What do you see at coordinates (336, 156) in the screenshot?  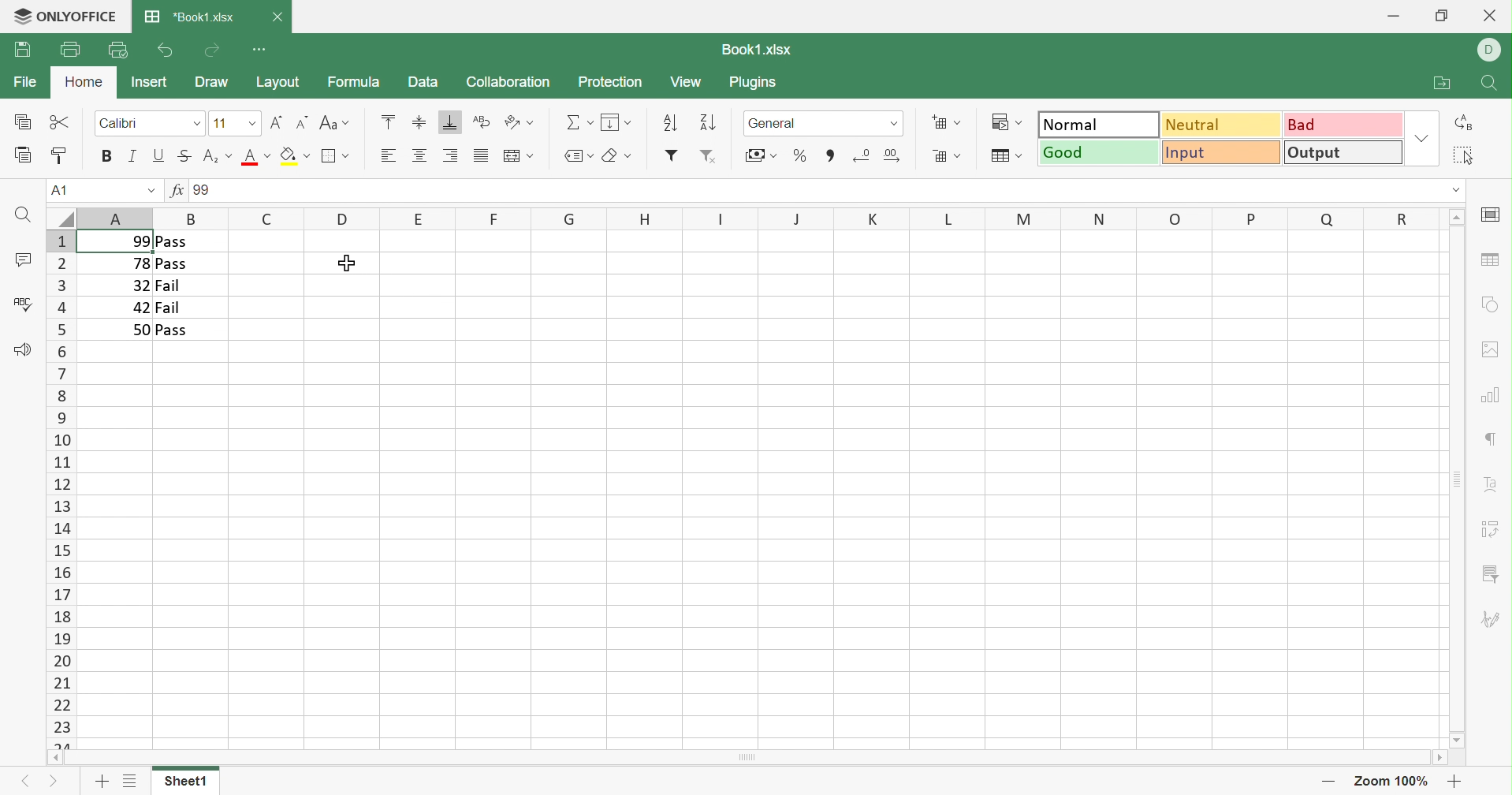 I see `Border` at bounding box center [336, 156].